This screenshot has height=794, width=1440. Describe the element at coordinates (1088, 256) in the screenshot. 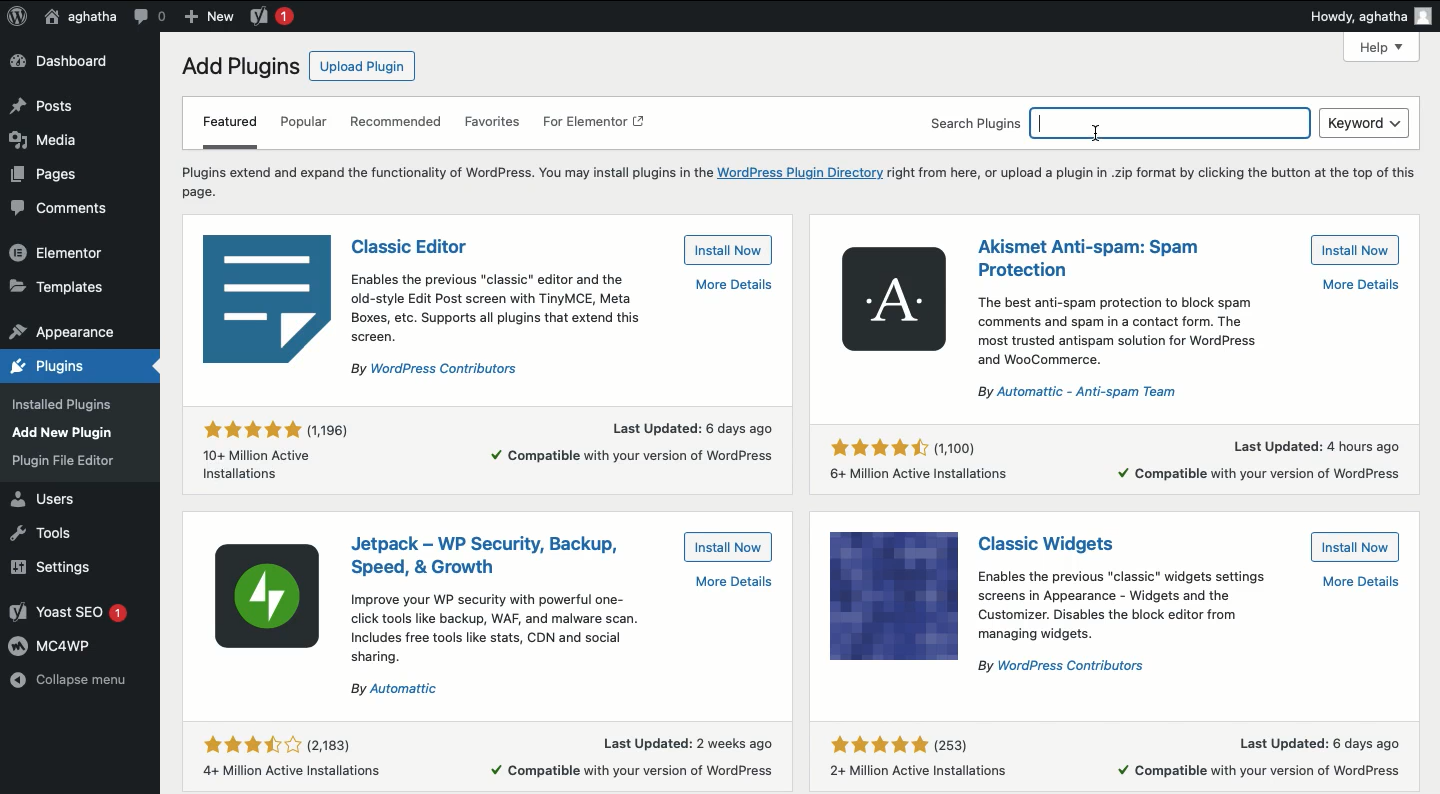

I see `Plugin` at that location.